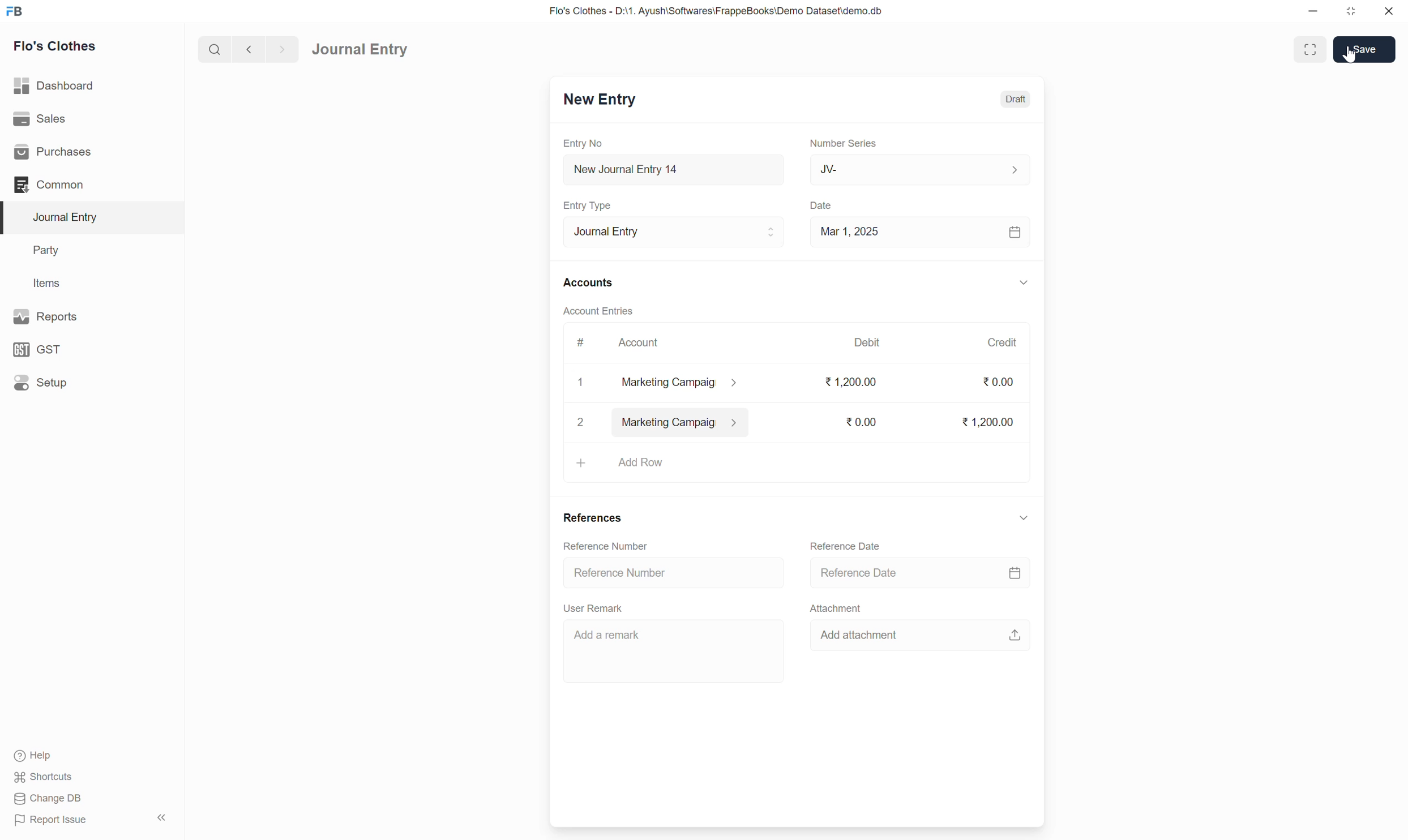 The image size is (1408, 840). What do you see at coordinates (55, 85) in the screenshot?
I see `Dashboard` at bounding box center [55, 85].